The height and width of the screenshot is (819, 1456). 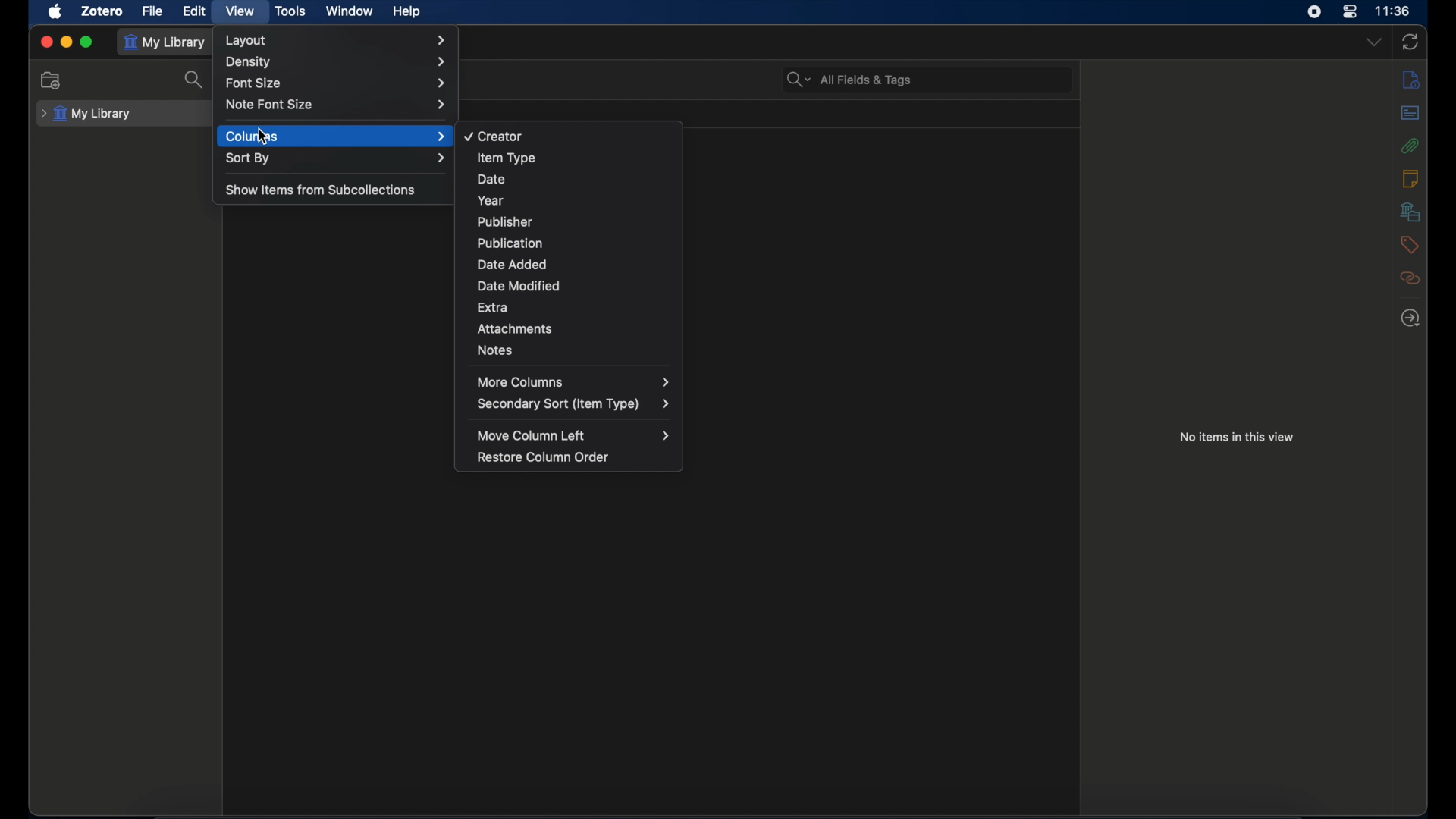 I want to click on libraries, so click(x=1411, y=212).